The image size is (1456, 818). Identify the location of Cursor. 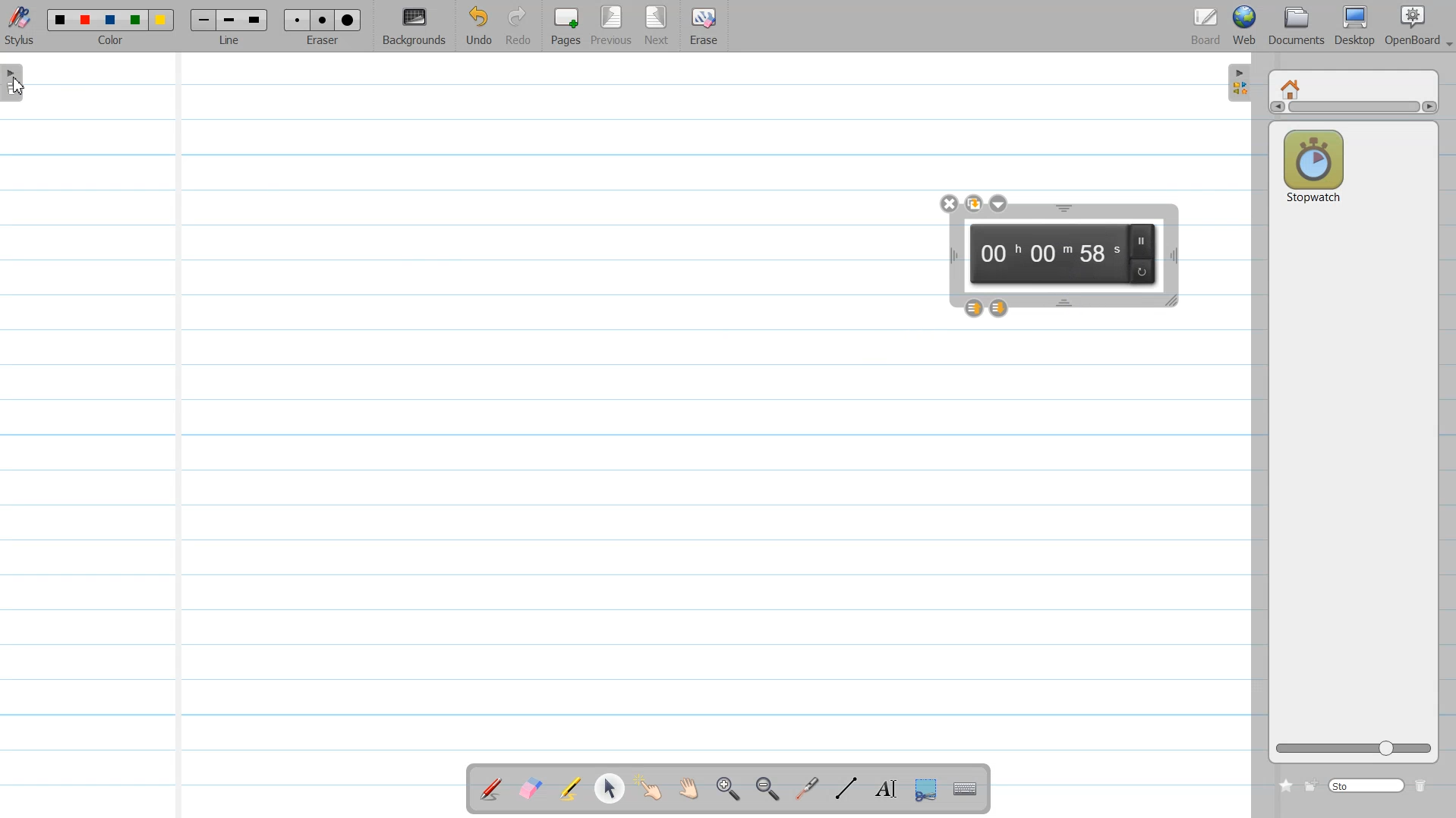
(18, 86).